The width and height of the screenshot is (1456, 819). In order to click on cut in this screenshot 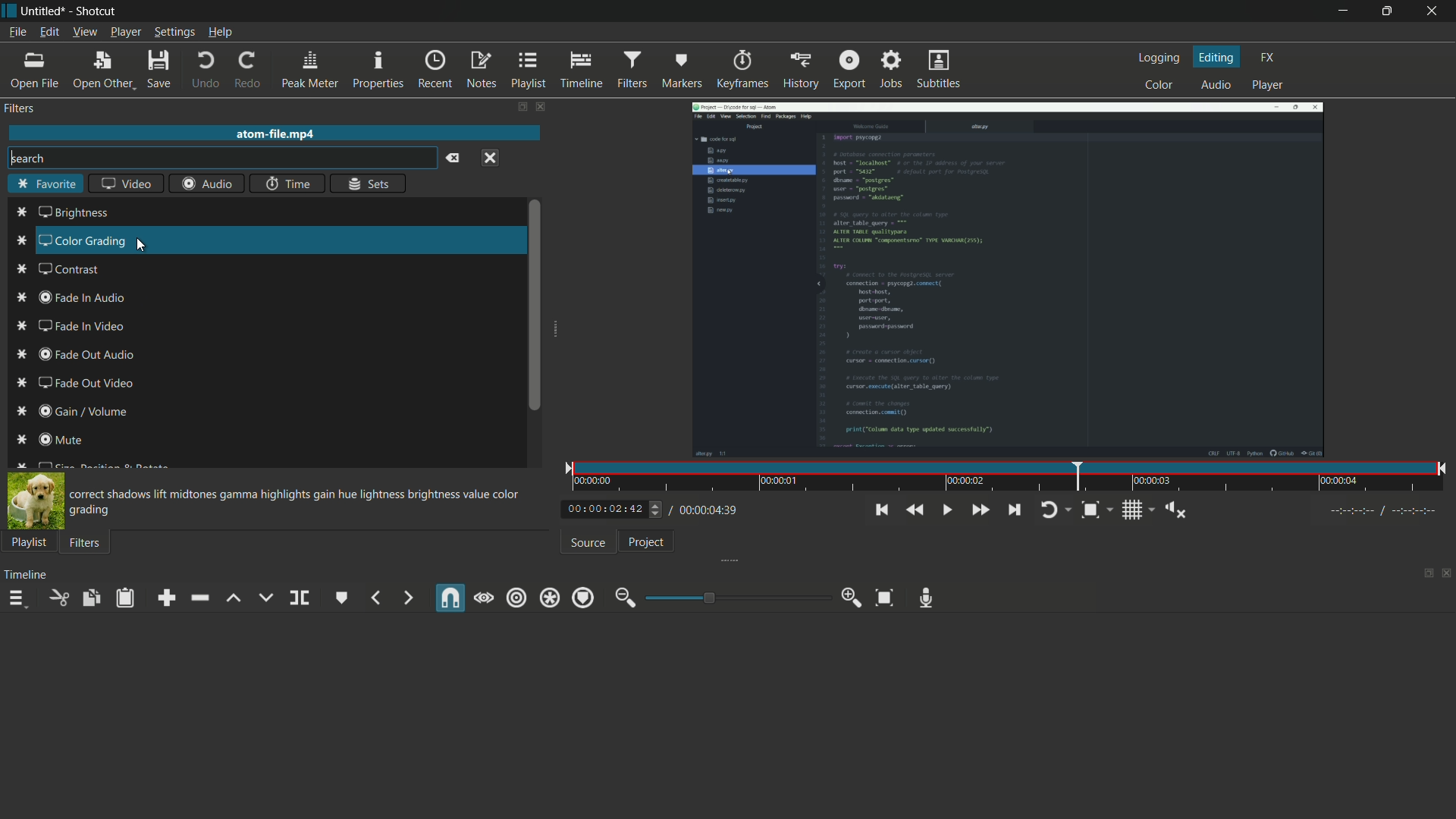, I will do `click(54, 598)`.